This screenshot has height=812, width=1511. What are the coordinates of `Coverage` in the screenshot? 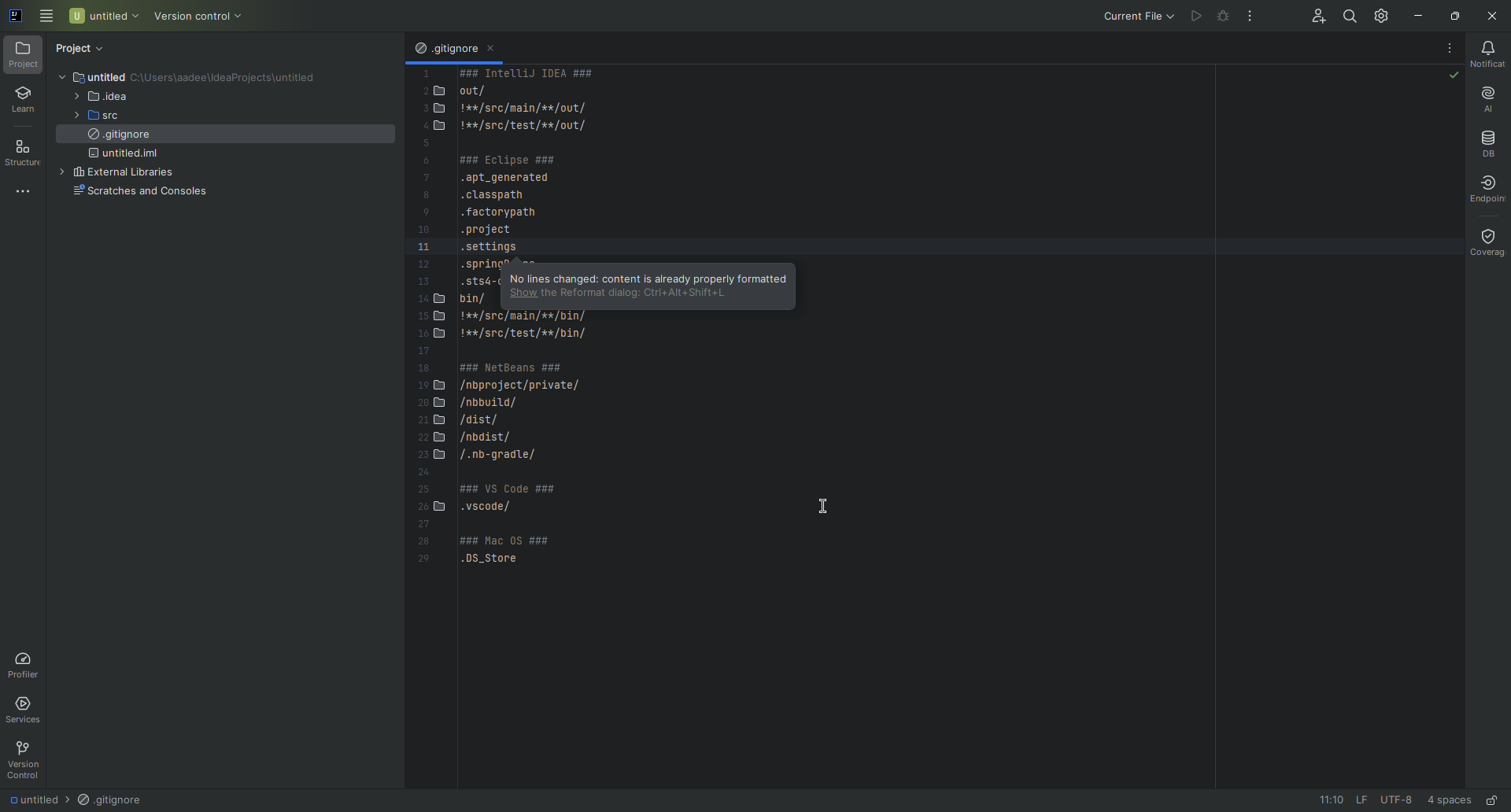 It's located at (1482, 241).